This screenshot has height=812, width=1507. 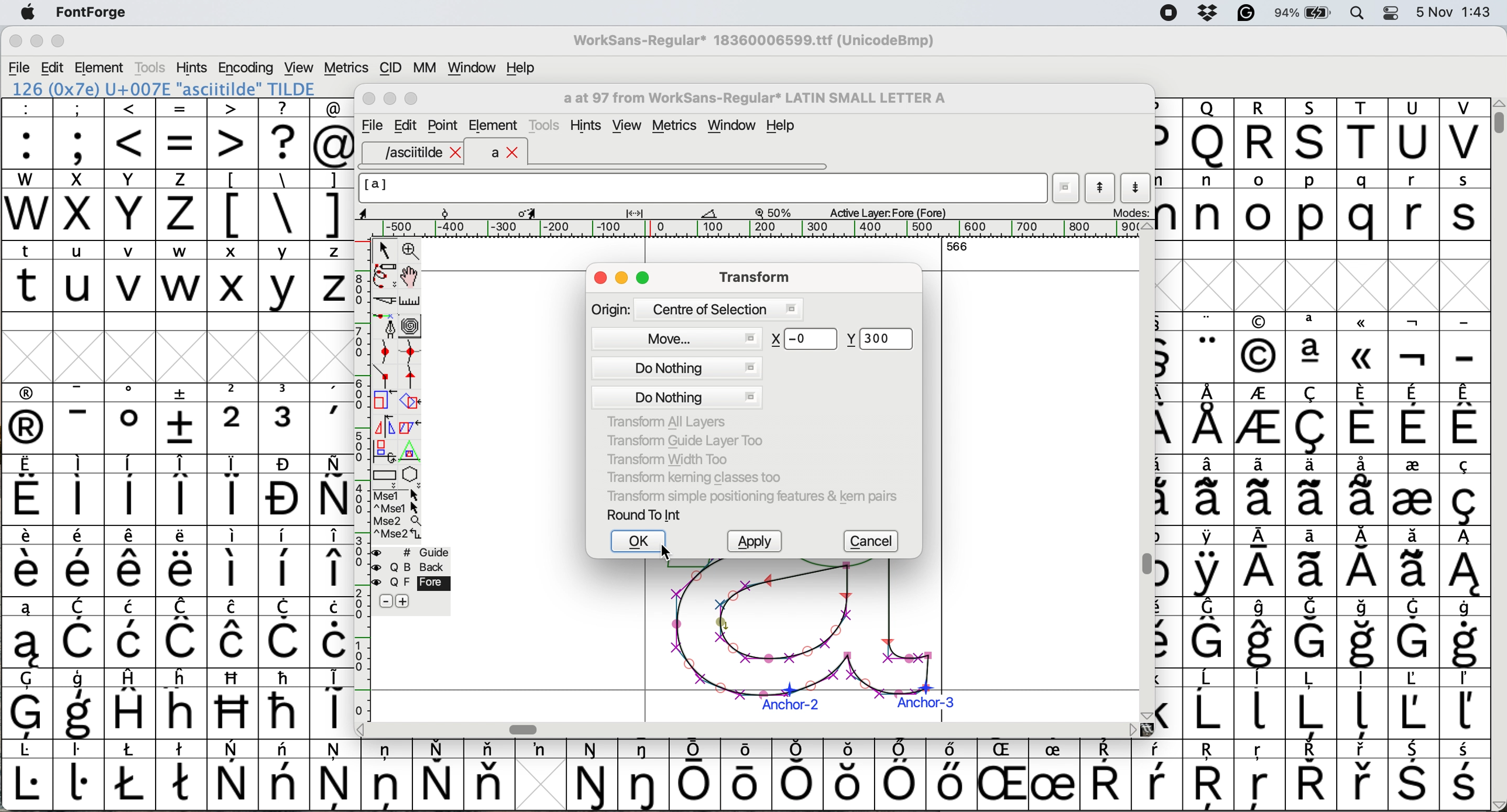 What do you see at coordinates (413, 429) in the screenshot?
I see `skew selection` at bounding box center [413, 429].